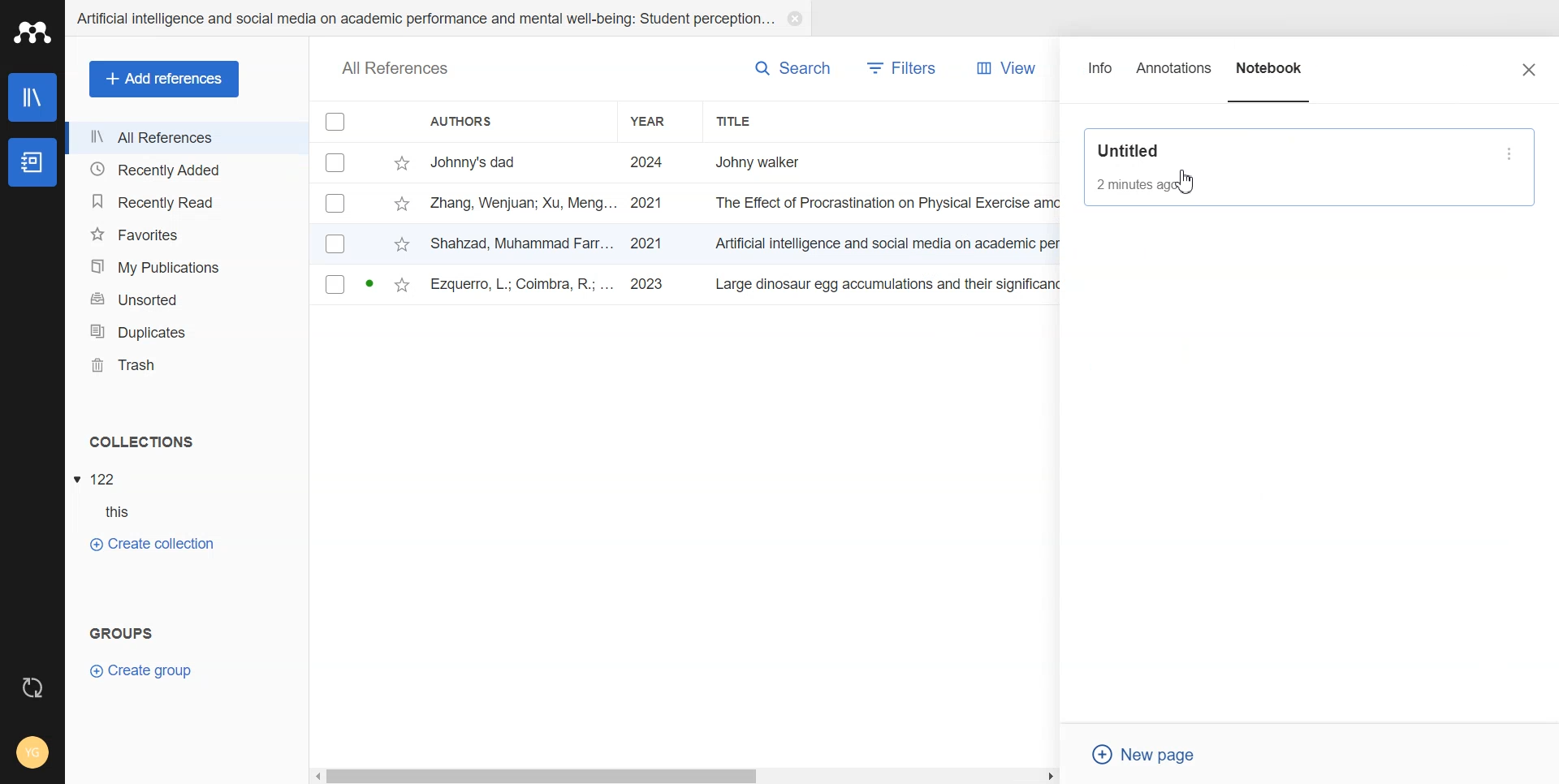 This screenshot has width=1559, height=784. What do you see at coordinates (1271, 75) in the screenshot?
I see `Notebook` at bounding box center [1271, 75].